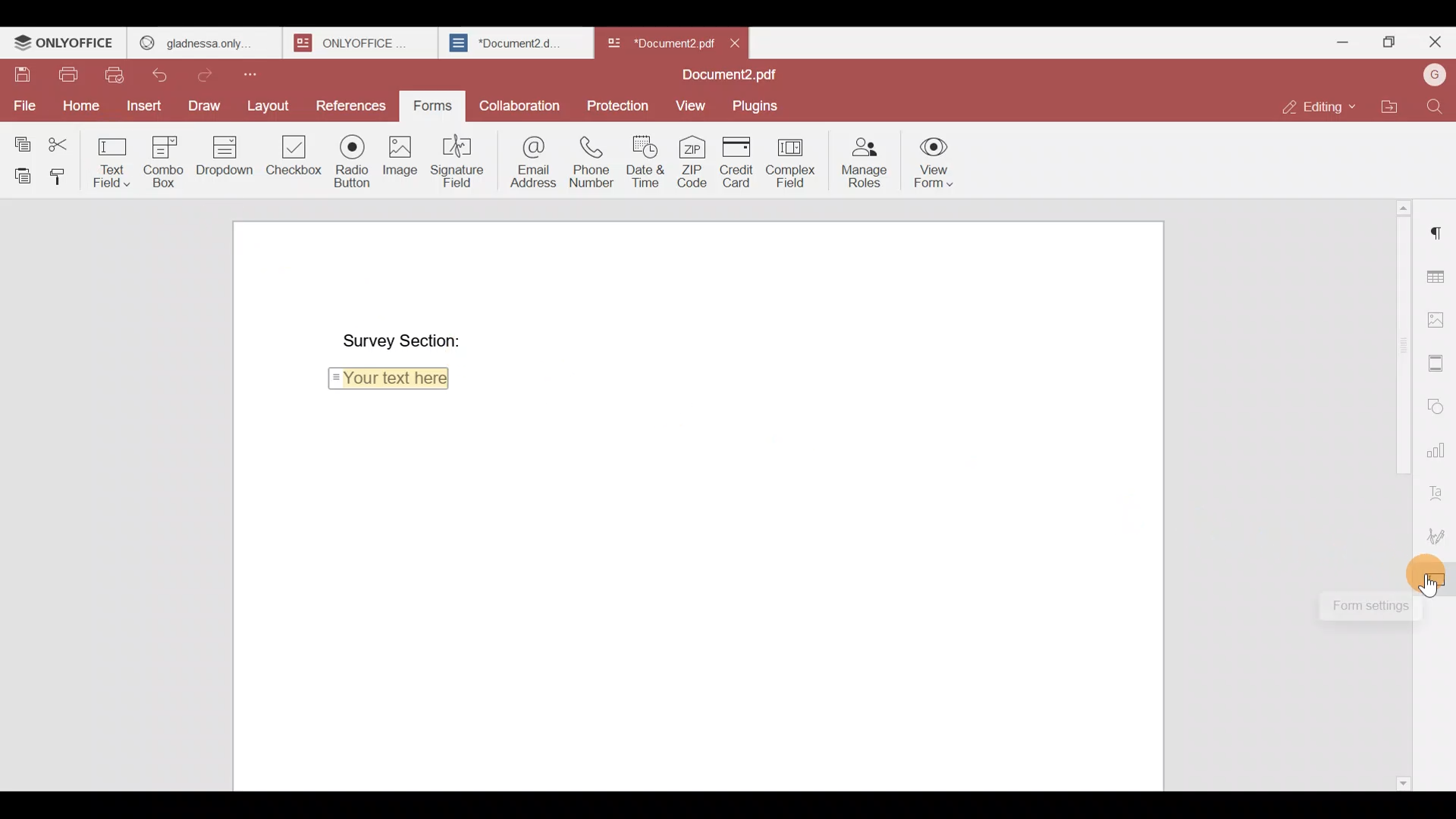 Image resolution: width=1456 pixels, height=819 pixels. I want to click on Collaboration, so click(522, 108).